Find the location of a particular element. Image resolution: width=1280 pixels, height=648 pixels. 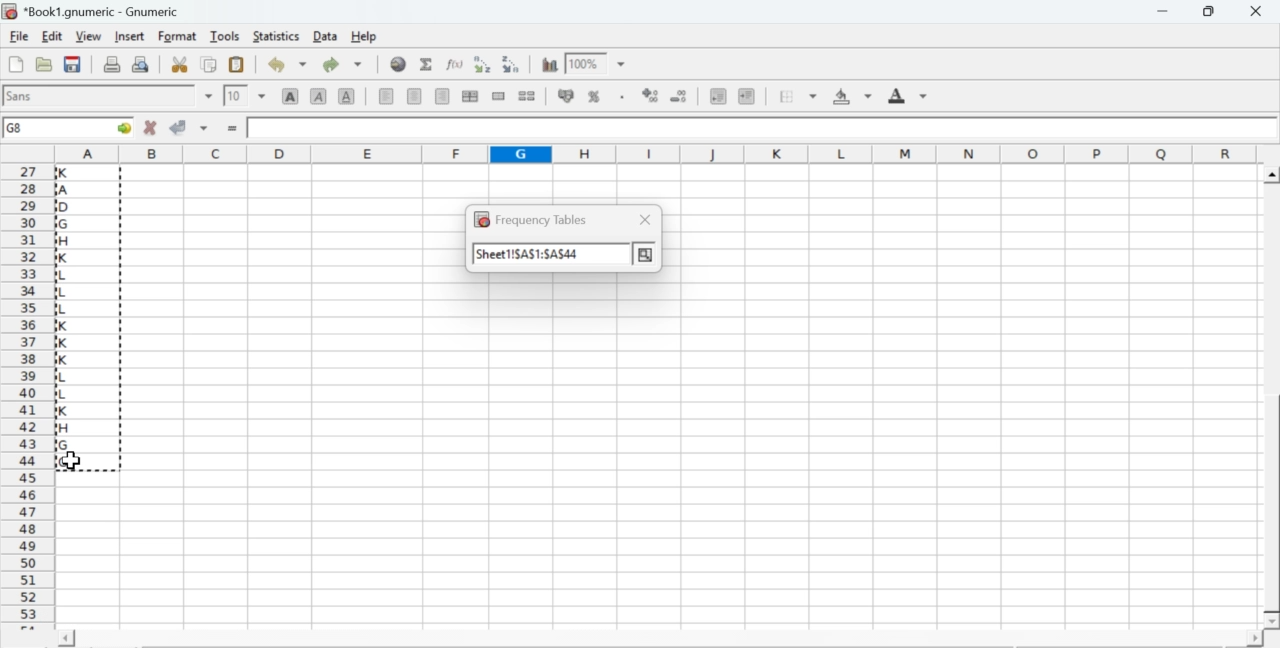

format selection as percentage is located at coordinates (592, 96).